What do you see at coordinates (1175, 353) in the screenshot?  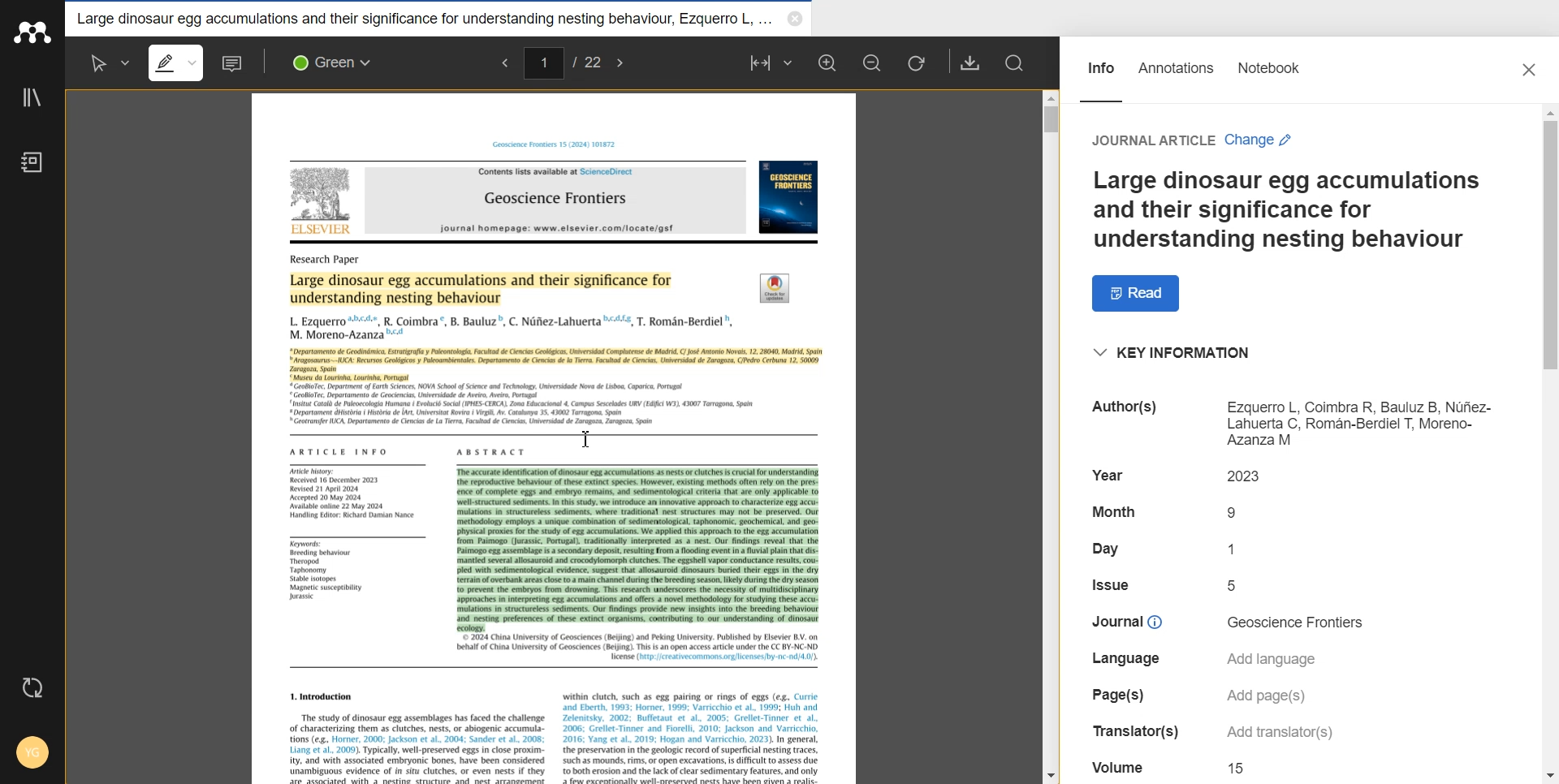 I see `Key Information` at bounding box center [1175, 353].